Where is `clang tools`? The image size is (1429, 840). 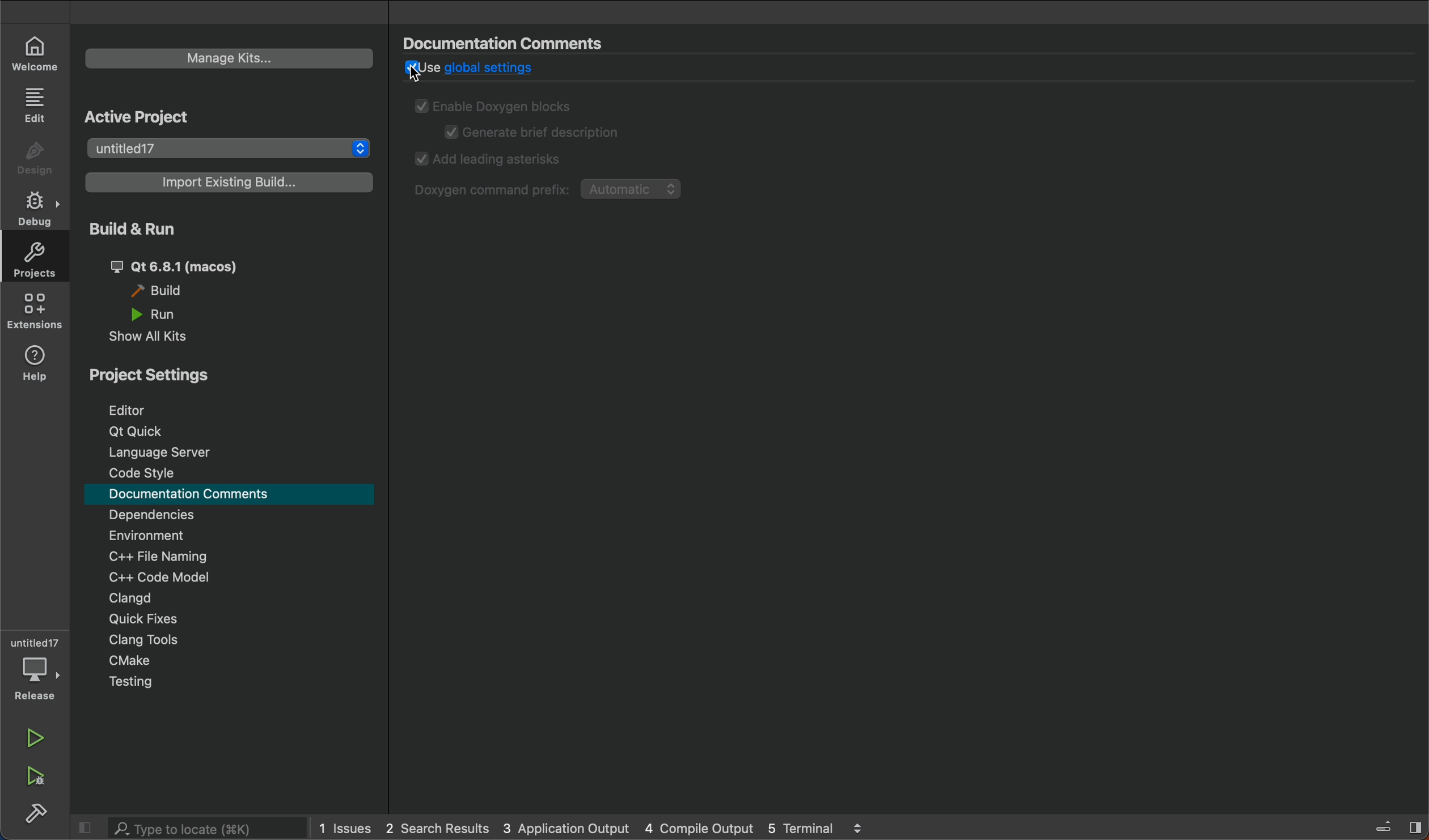 clang tools is located at coordinates (150, 641).